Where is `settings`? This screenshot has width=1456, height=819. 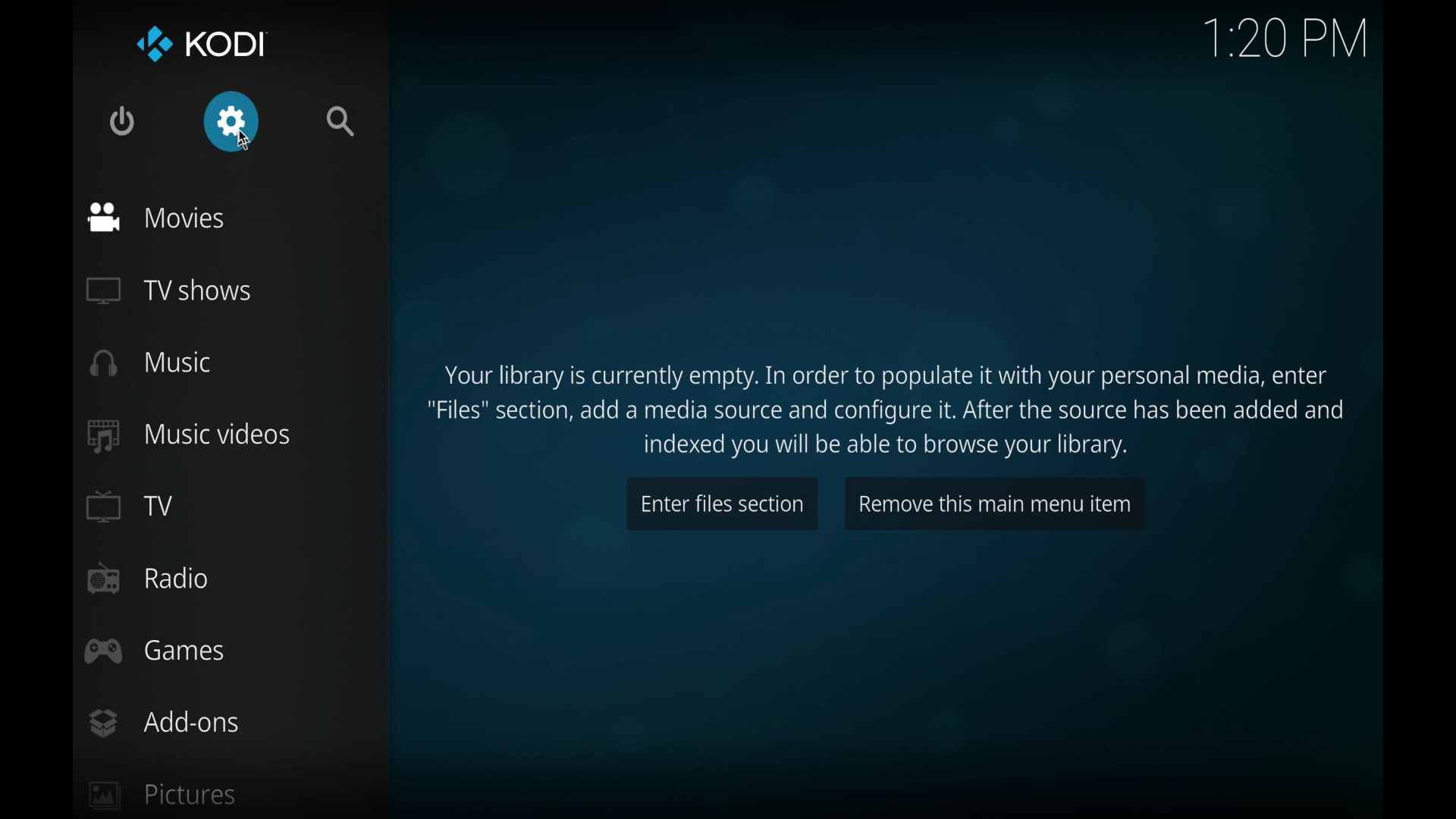
settings is located at coordinates (231, 121).